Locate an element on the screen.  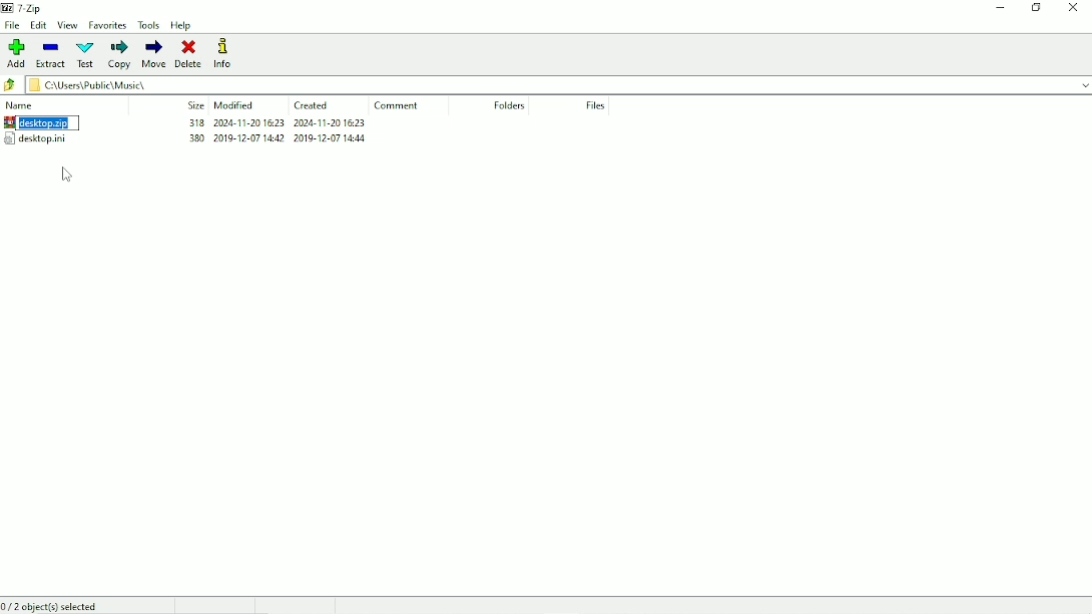
Tools is located at coordinates (149, 26).